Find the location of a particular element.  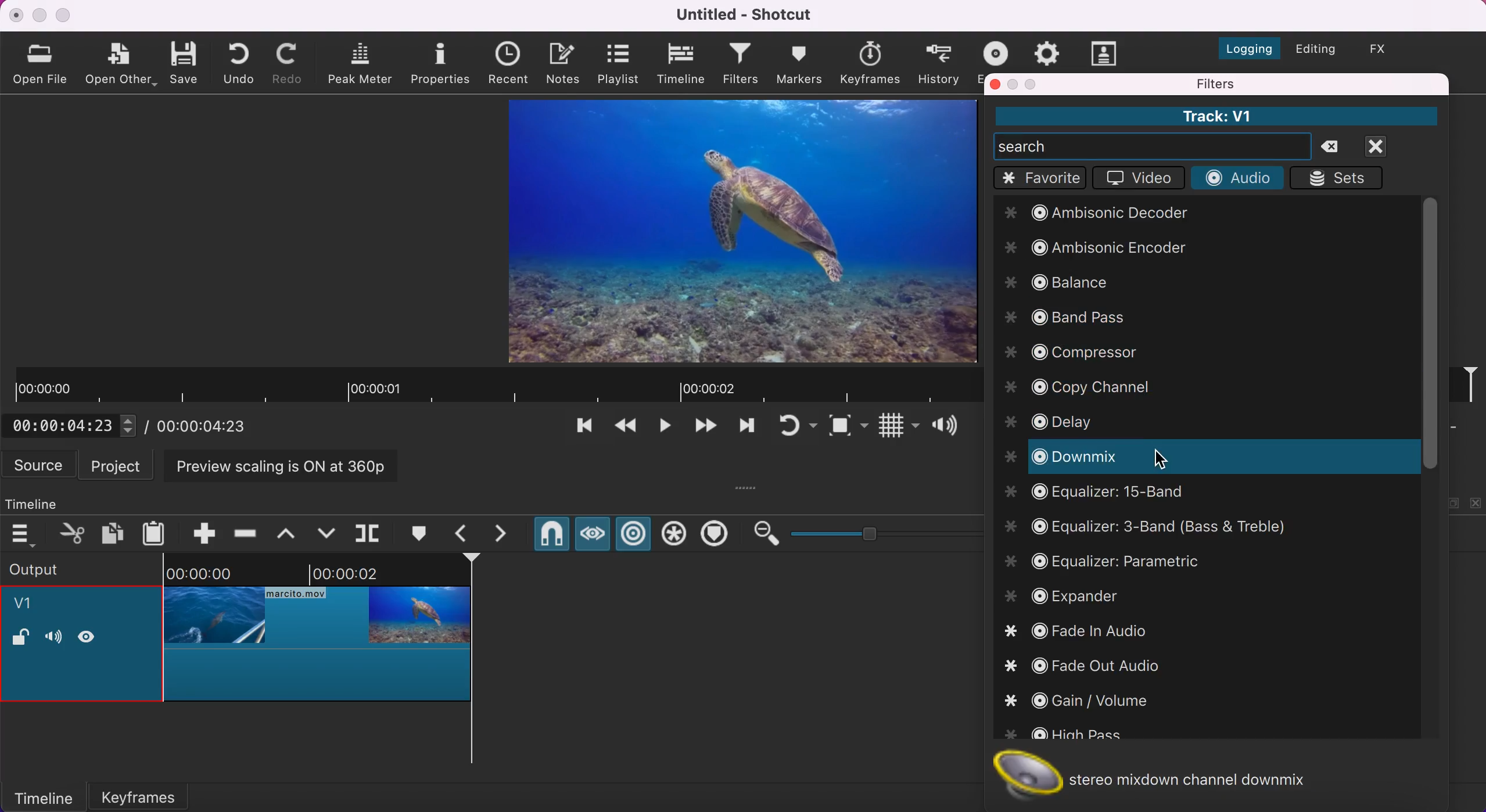

notes is located at coordinates (566, 62).